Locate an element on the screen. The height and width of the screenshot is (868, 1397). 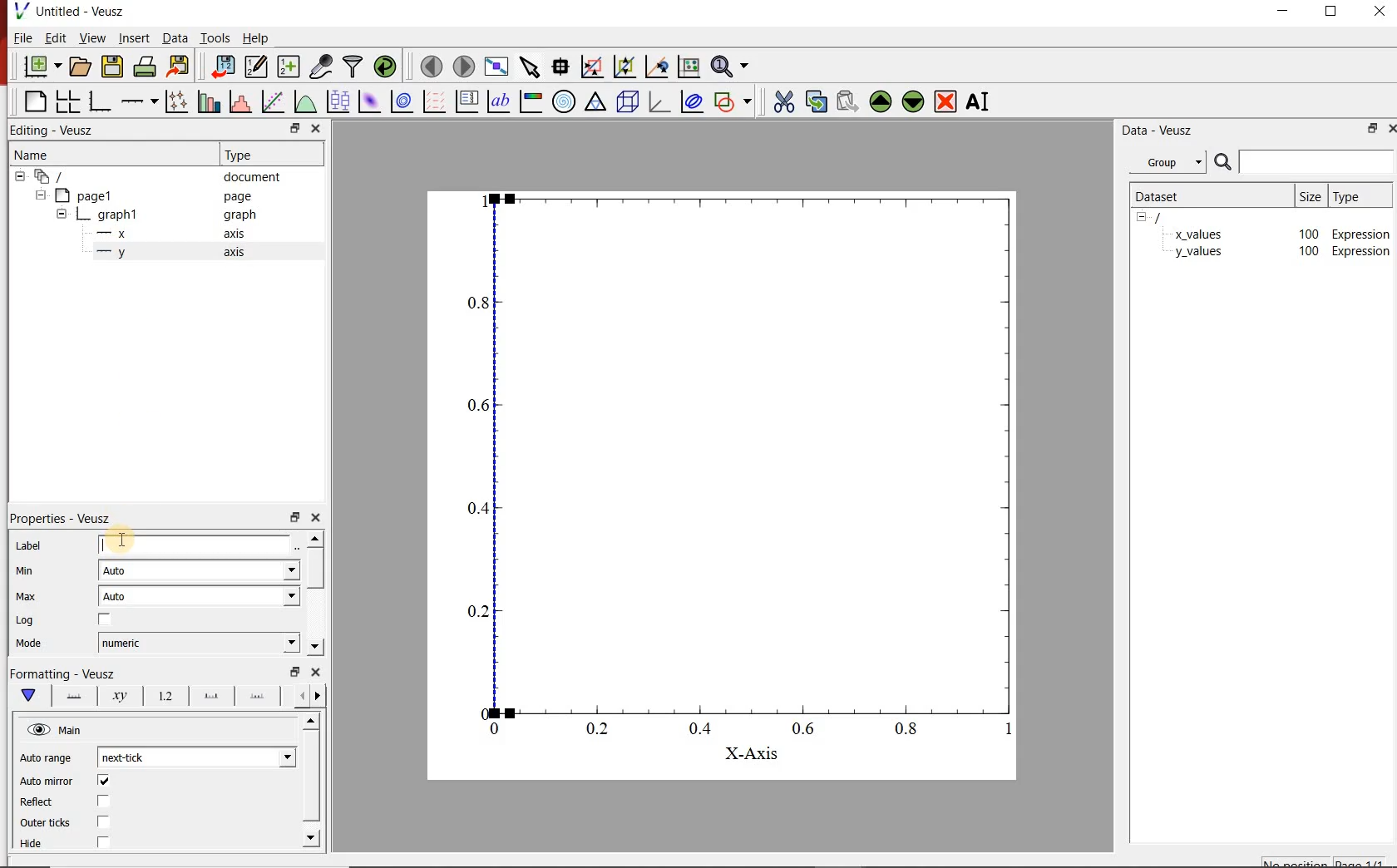
Mode is located at coordinates (29, 643).